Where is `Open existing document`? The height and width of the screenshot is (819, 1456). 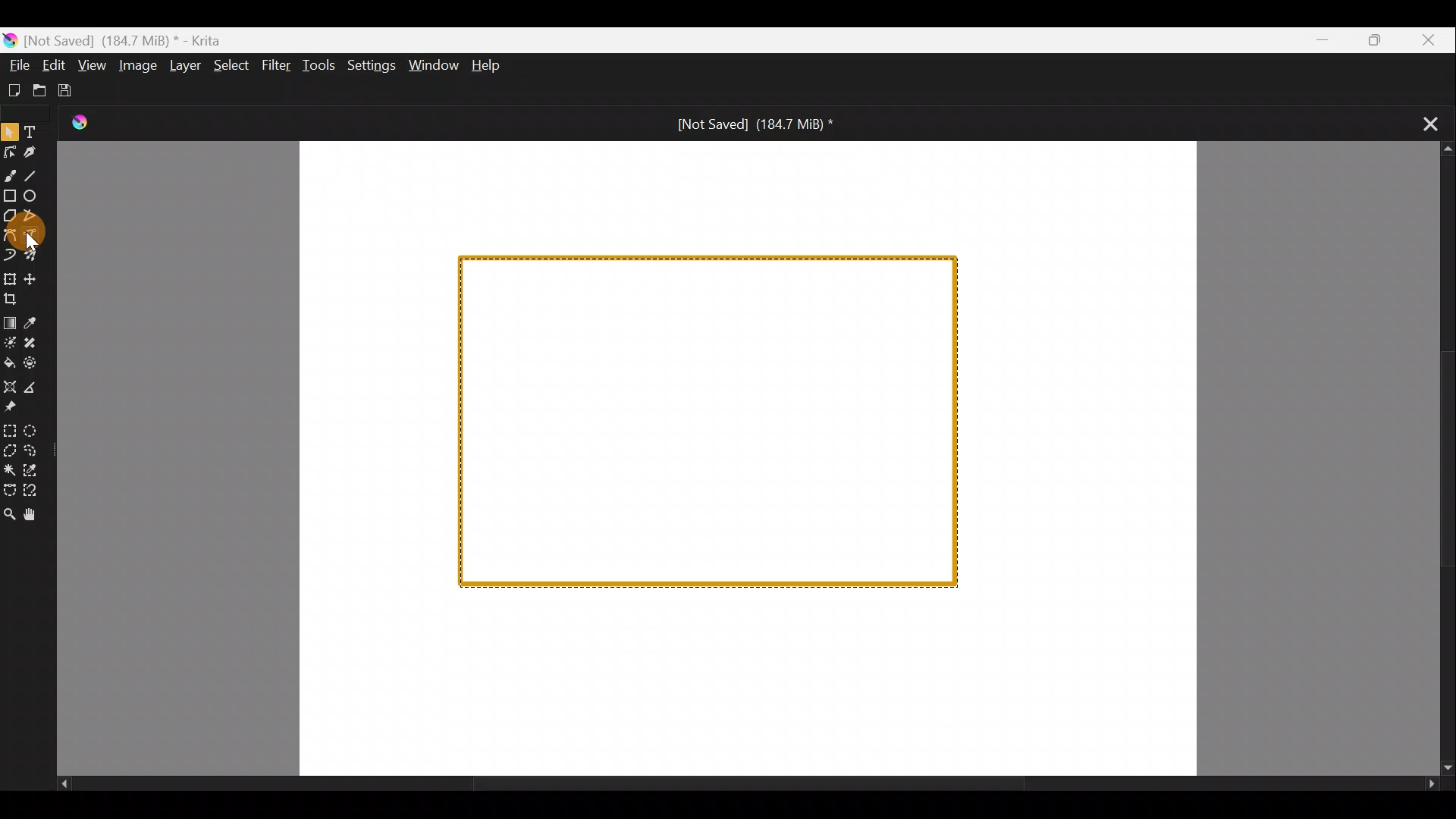
Open existing document is located at coordinates (40, 90).